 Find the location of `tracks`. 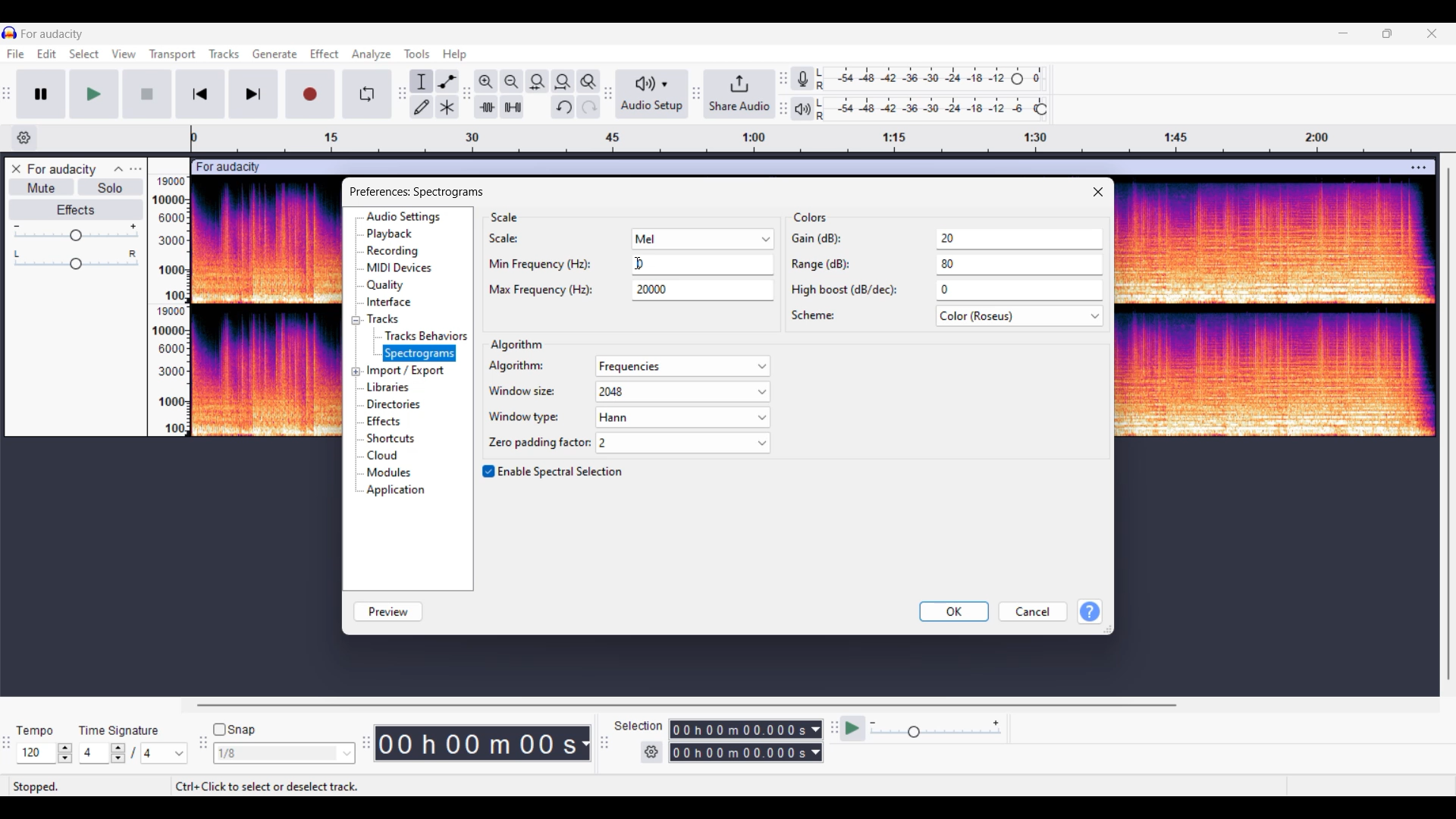

tracks is located at coordinates (387, 319).